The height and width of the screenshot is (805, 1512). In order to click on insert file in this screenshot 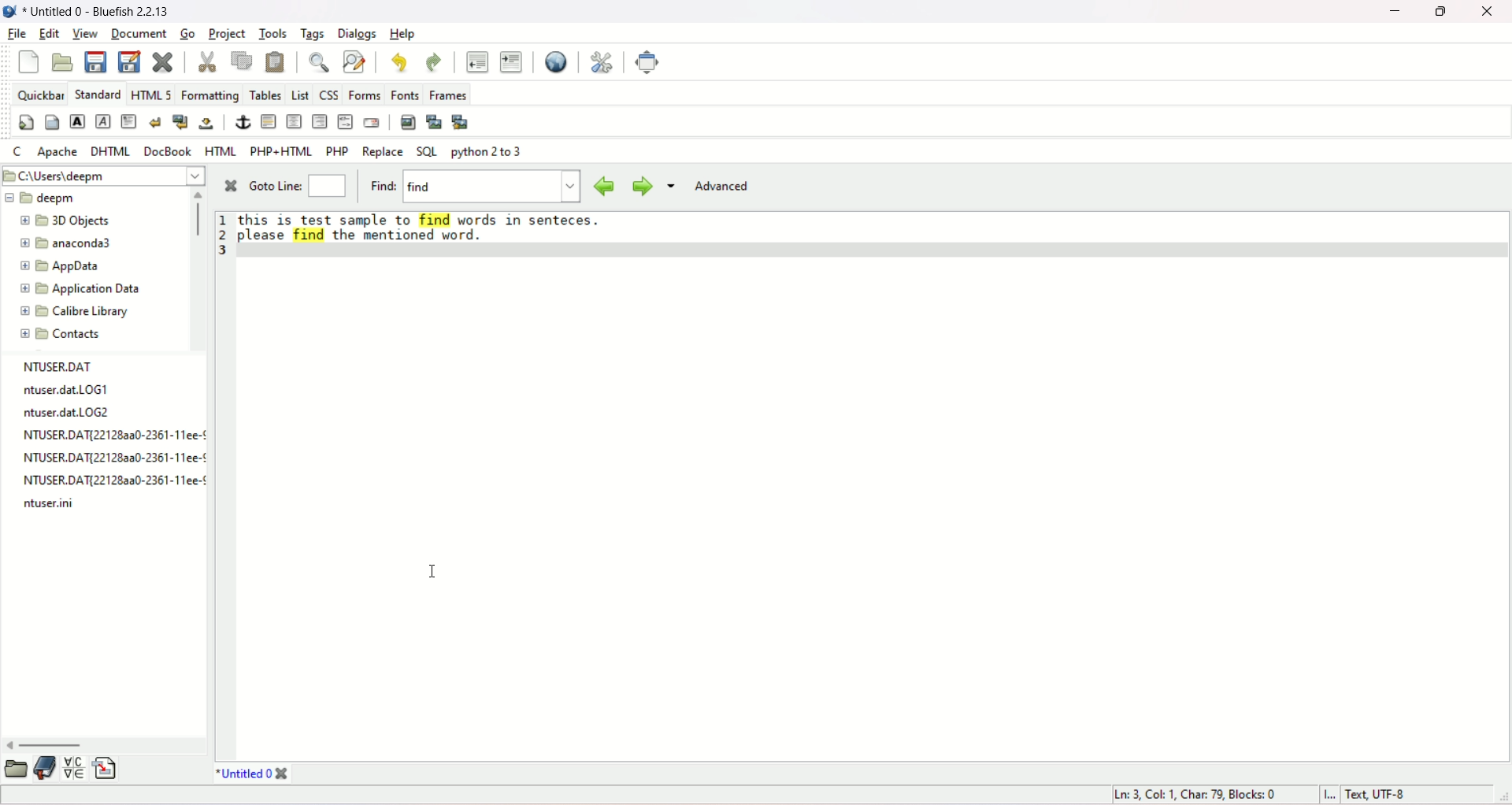, I will do `click(107, 770)`.